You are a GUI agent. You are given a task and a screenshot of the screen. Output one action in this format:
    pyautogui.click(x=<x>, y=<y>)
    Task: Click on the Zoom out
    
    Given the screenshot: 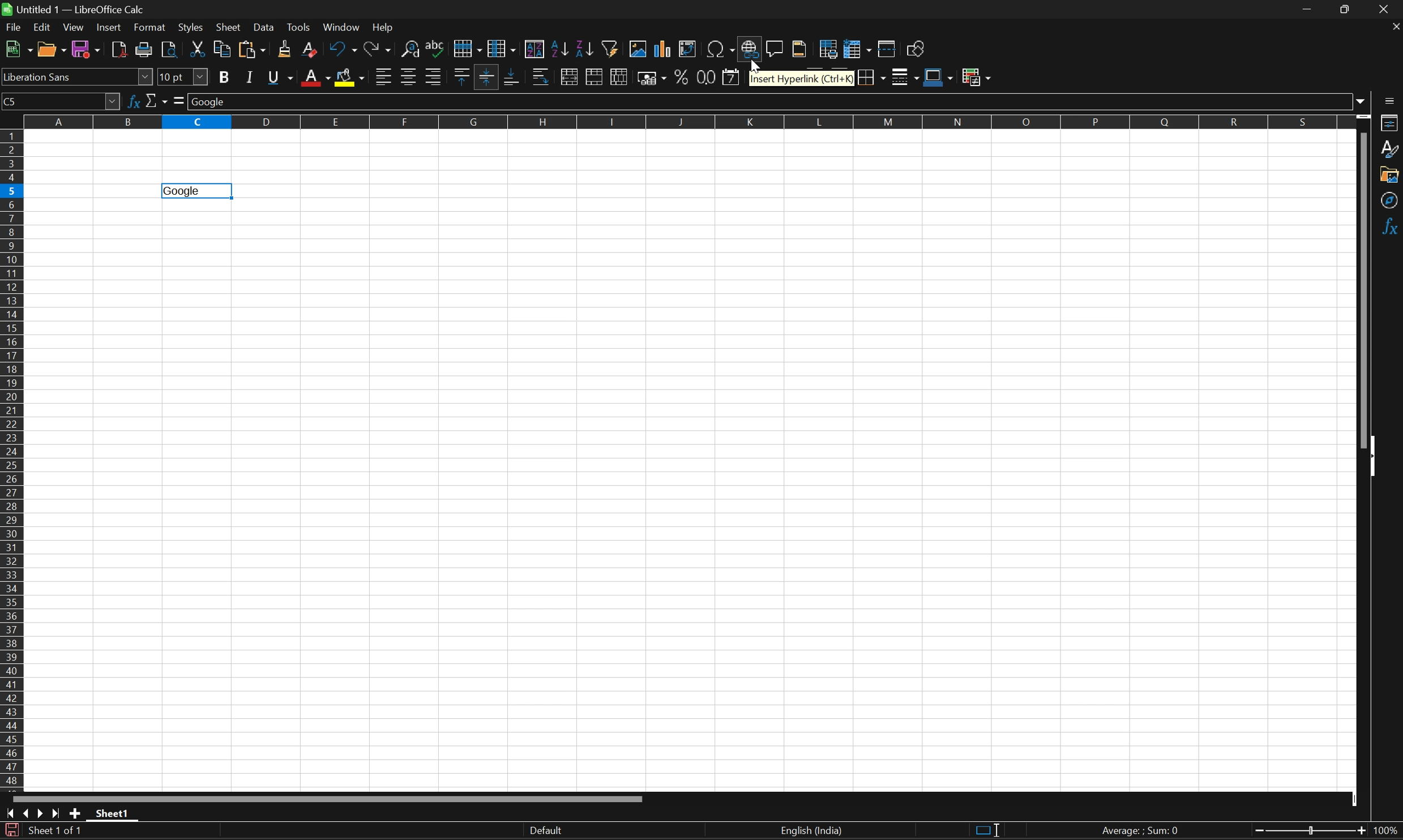 What is the action you would take?
    pyautogui.click(x=1359, y=832)
    